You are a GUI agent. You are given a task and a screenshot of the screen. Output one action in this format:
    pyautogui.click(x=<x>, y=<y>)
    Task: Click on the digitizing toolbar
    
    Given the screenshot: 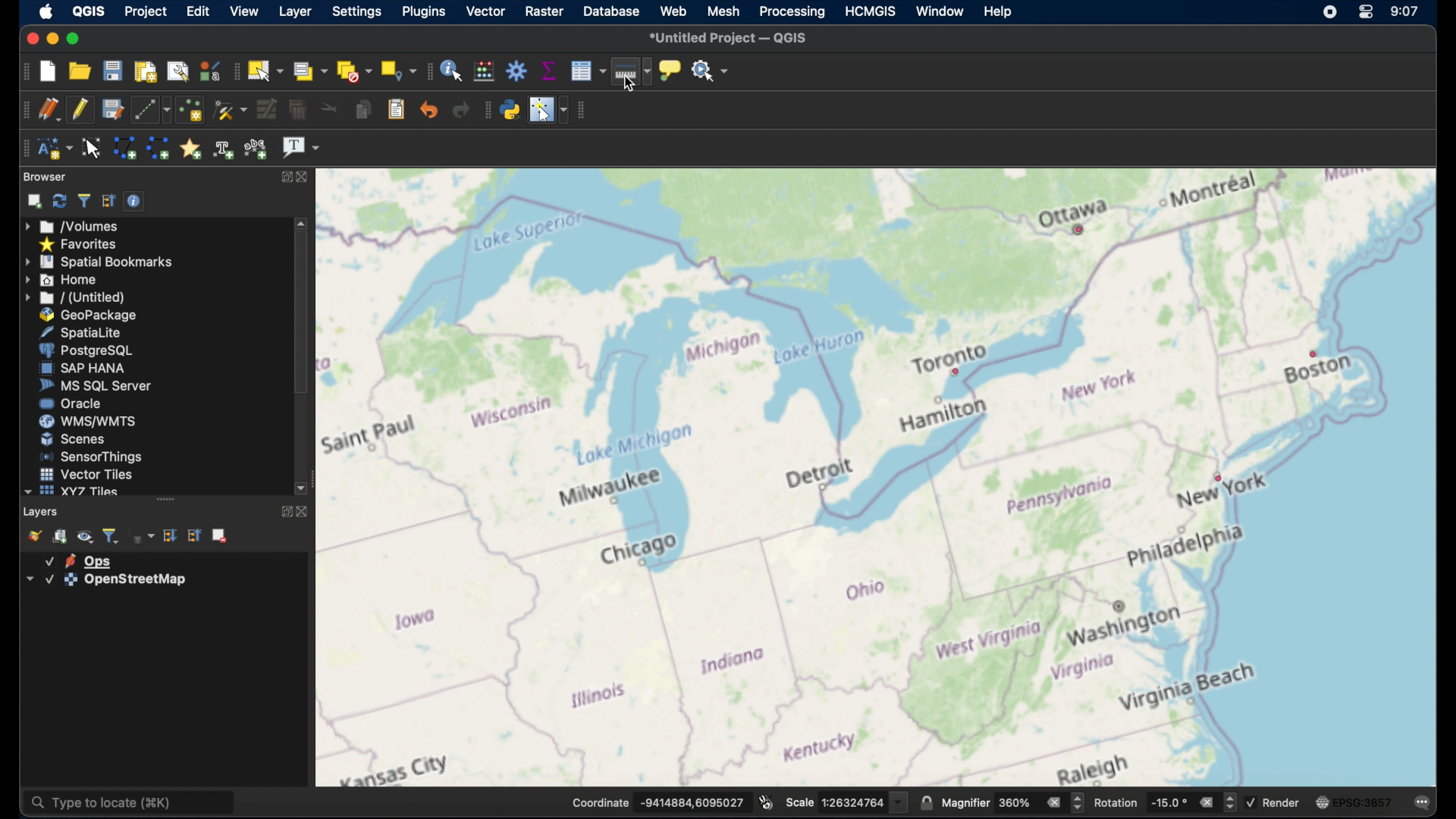 What is the action you would take?
    pyautogui.click(x=22, y=110)
    